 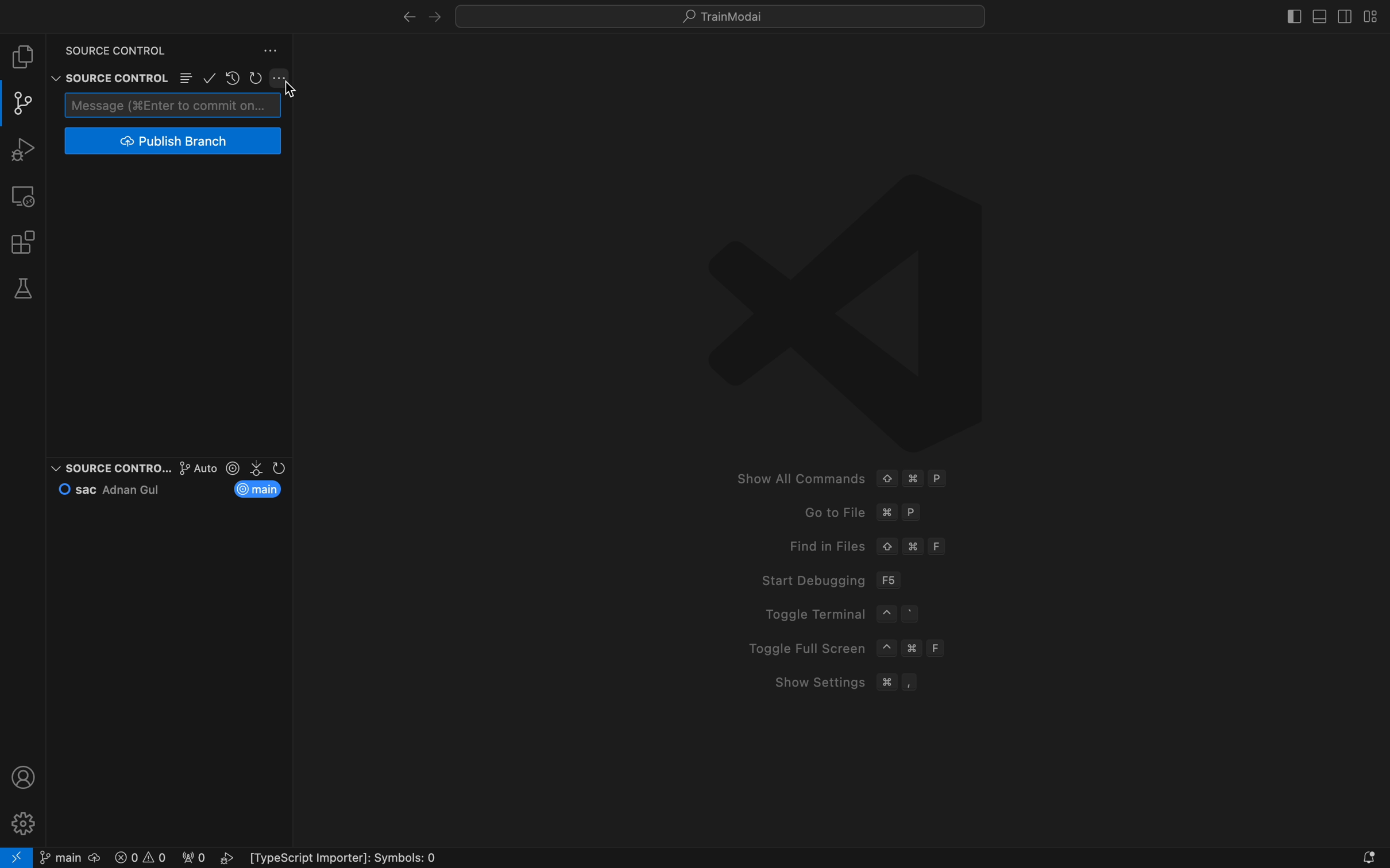 What do you see at coordinates (171, 141) in the screenshot?
I see `publish branch` at bounding box center [171, 141].